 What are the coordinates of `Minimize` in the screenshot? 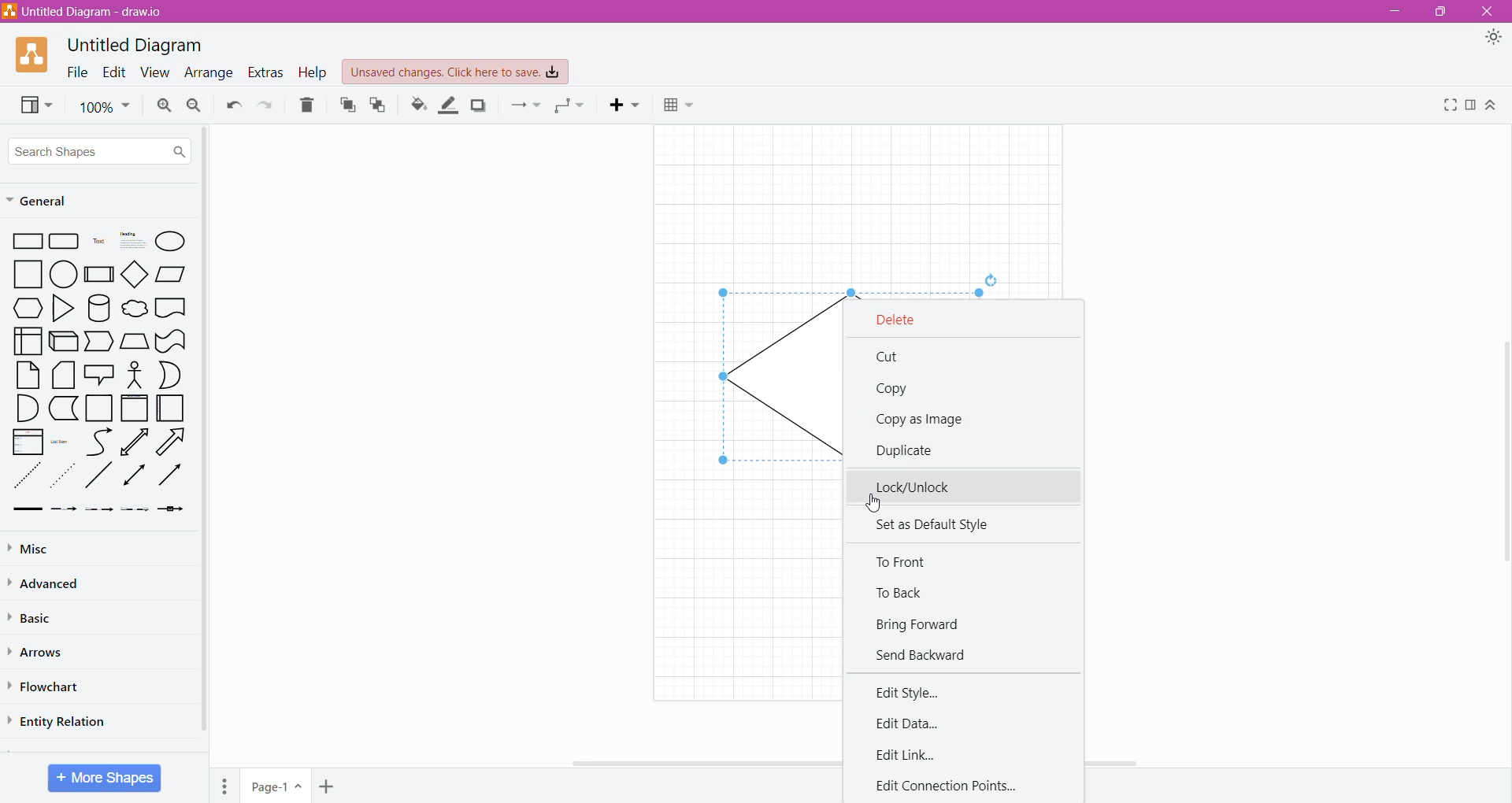 It's located at (1394, 12).